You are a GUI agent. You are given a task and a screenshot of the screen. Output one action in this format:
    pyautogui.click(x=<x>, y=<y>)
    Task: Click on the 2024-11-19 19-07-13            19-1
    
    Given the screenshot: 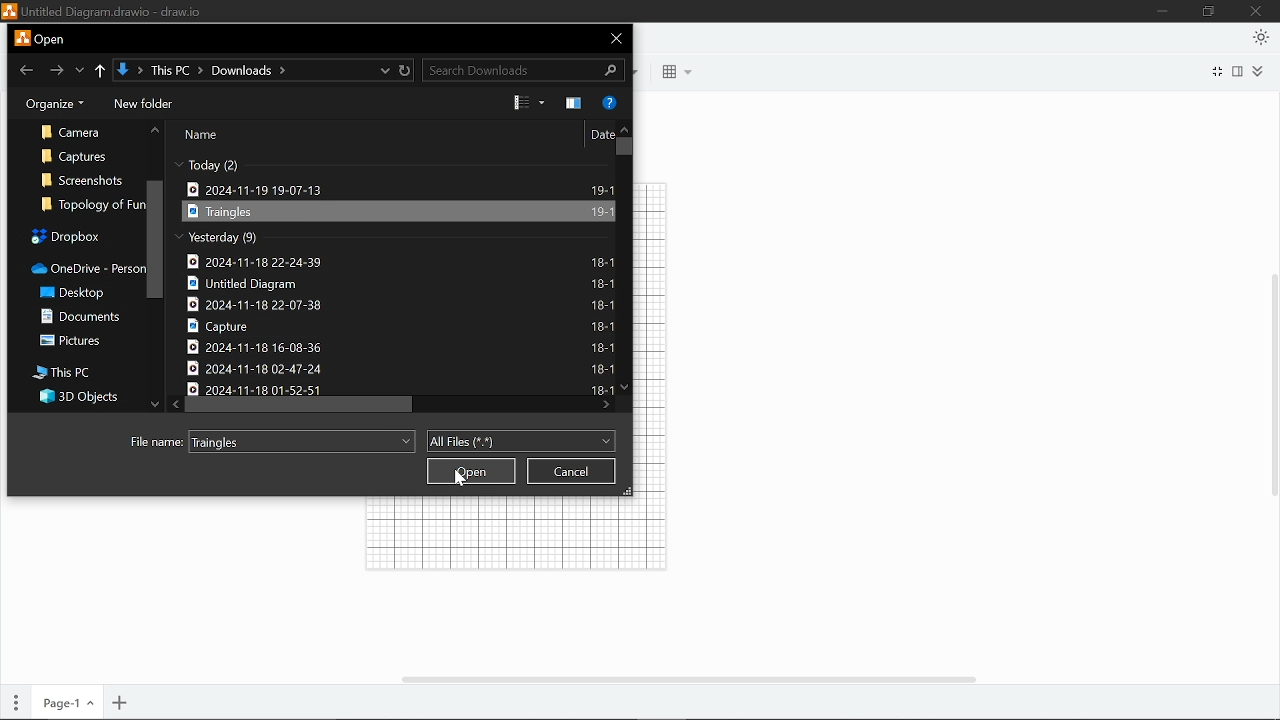 What is the action you would take?
    pyautogui.click(x=399, y=186)
    